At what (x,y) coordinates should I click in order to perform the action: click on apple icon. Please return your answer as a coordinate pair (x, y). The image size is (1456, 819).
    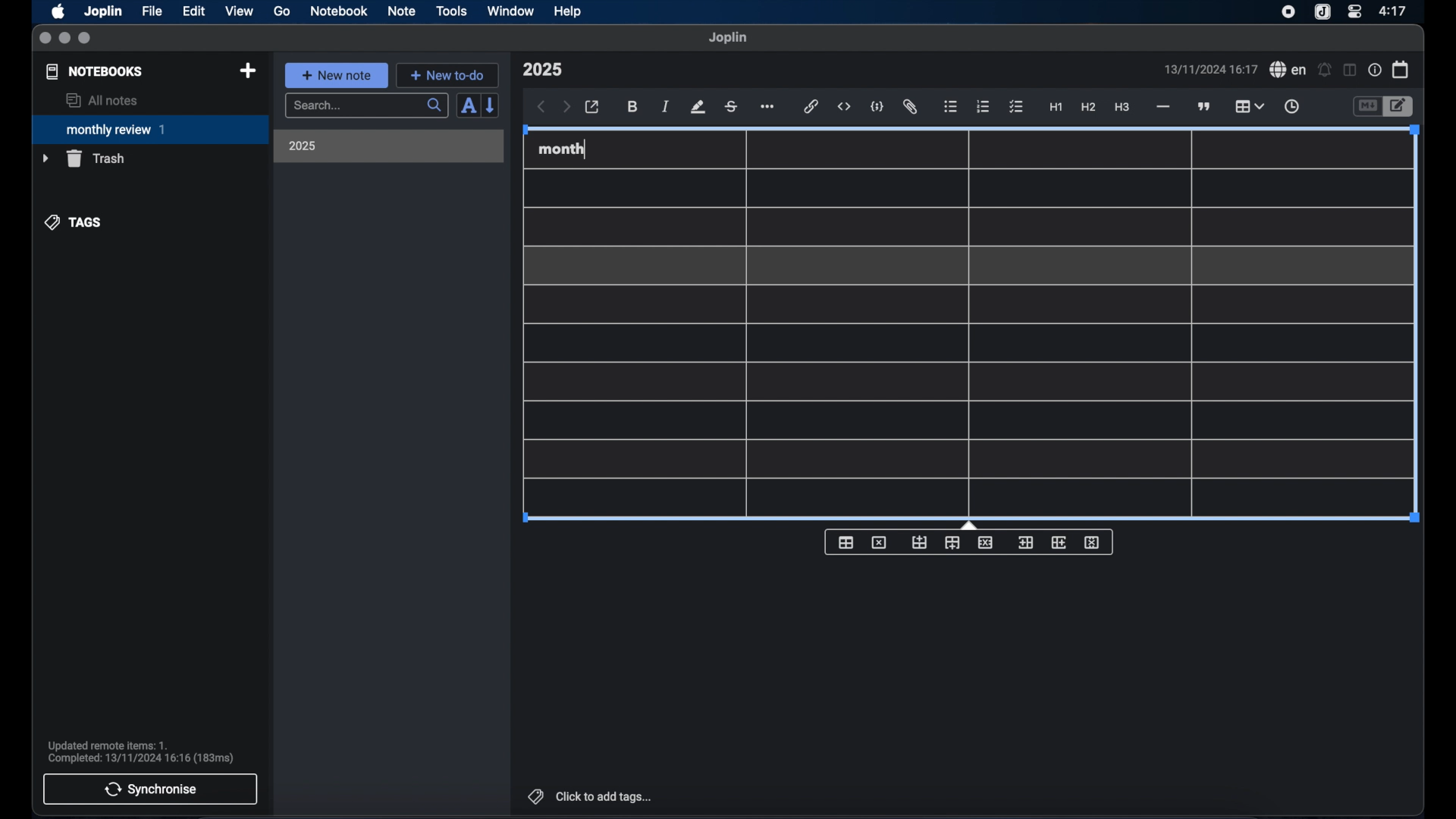
    Looking at the image, I should click on (57, 11).